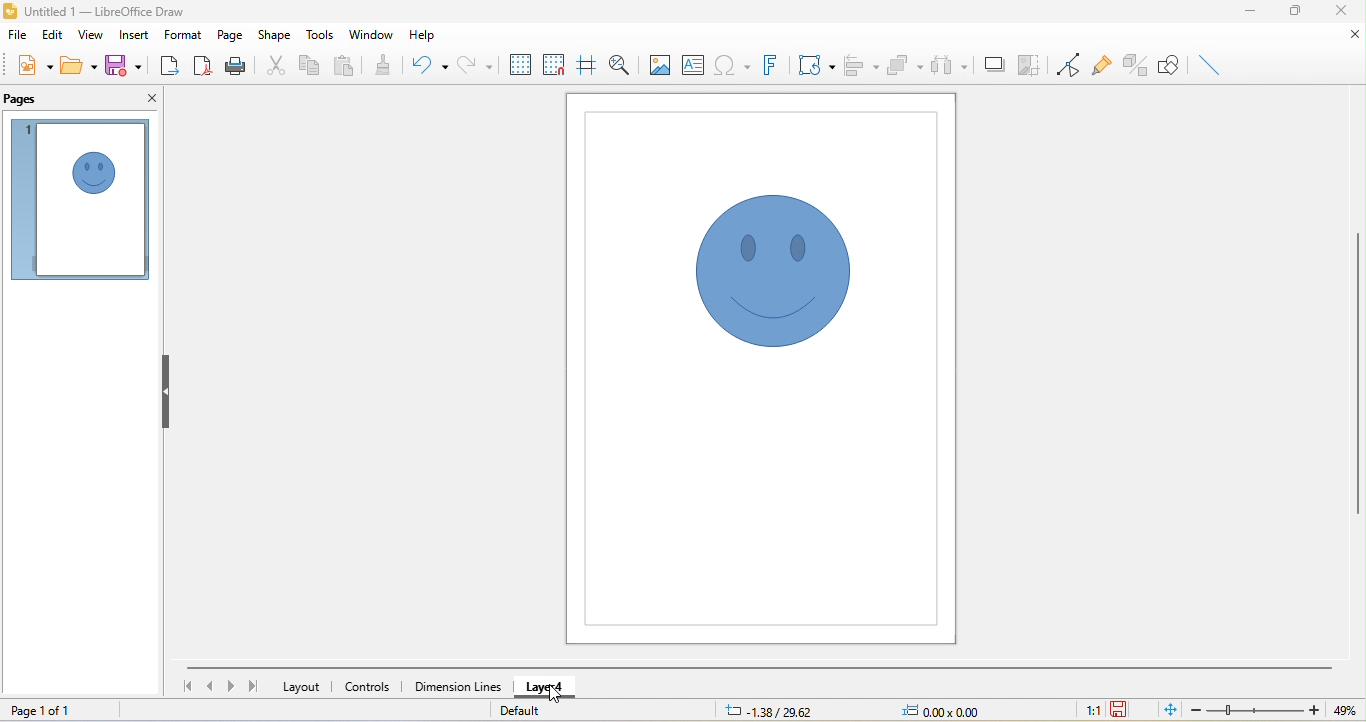  I want to click on shape, so click(274, 37).